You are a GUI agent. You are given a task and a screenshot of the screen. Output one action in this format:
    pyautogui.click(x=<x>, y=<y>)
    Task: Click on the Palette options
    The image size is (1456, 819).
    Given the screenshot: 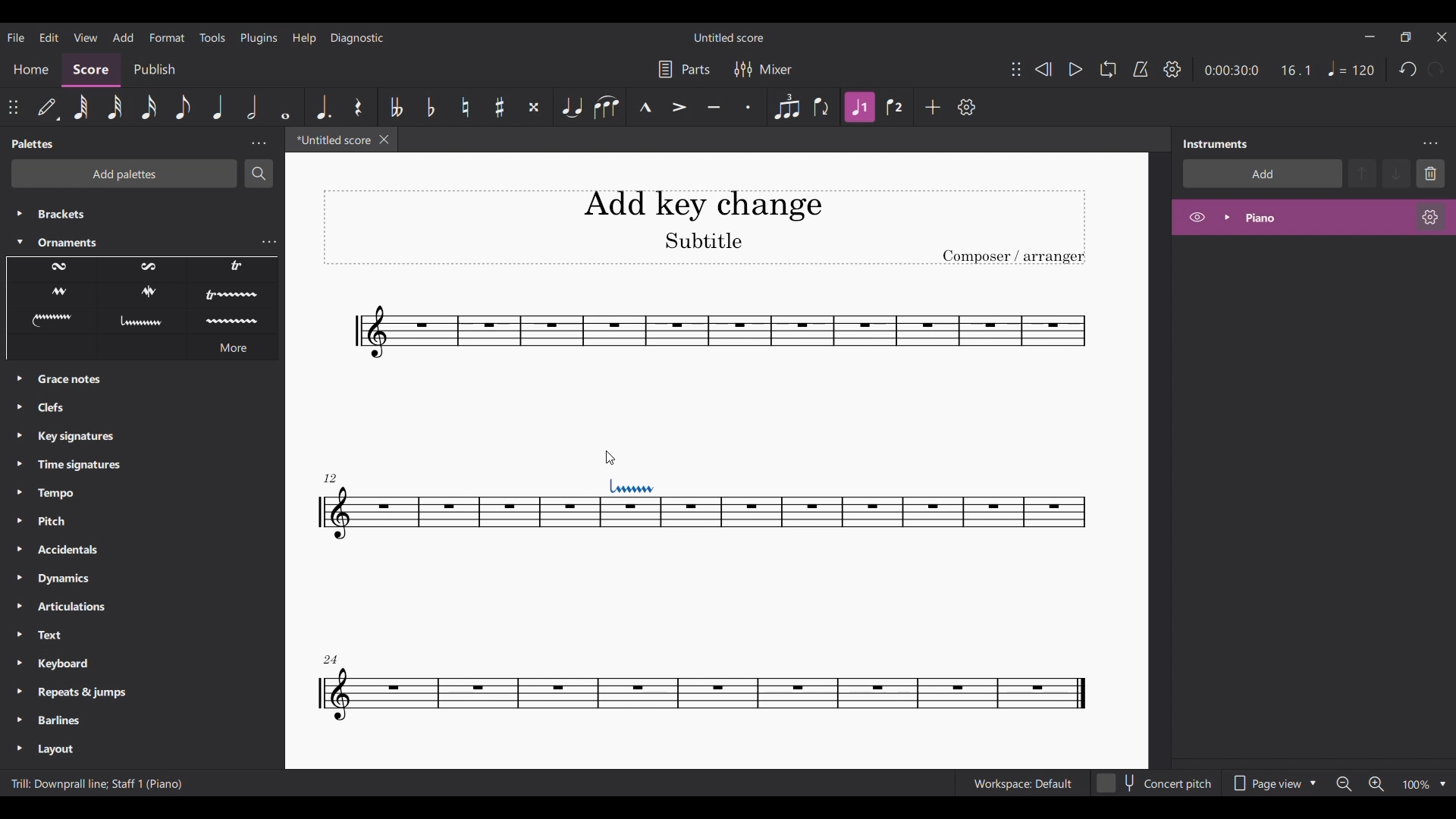 What is the action you would take?
    pyautogui.click(x=136, y=224)
    